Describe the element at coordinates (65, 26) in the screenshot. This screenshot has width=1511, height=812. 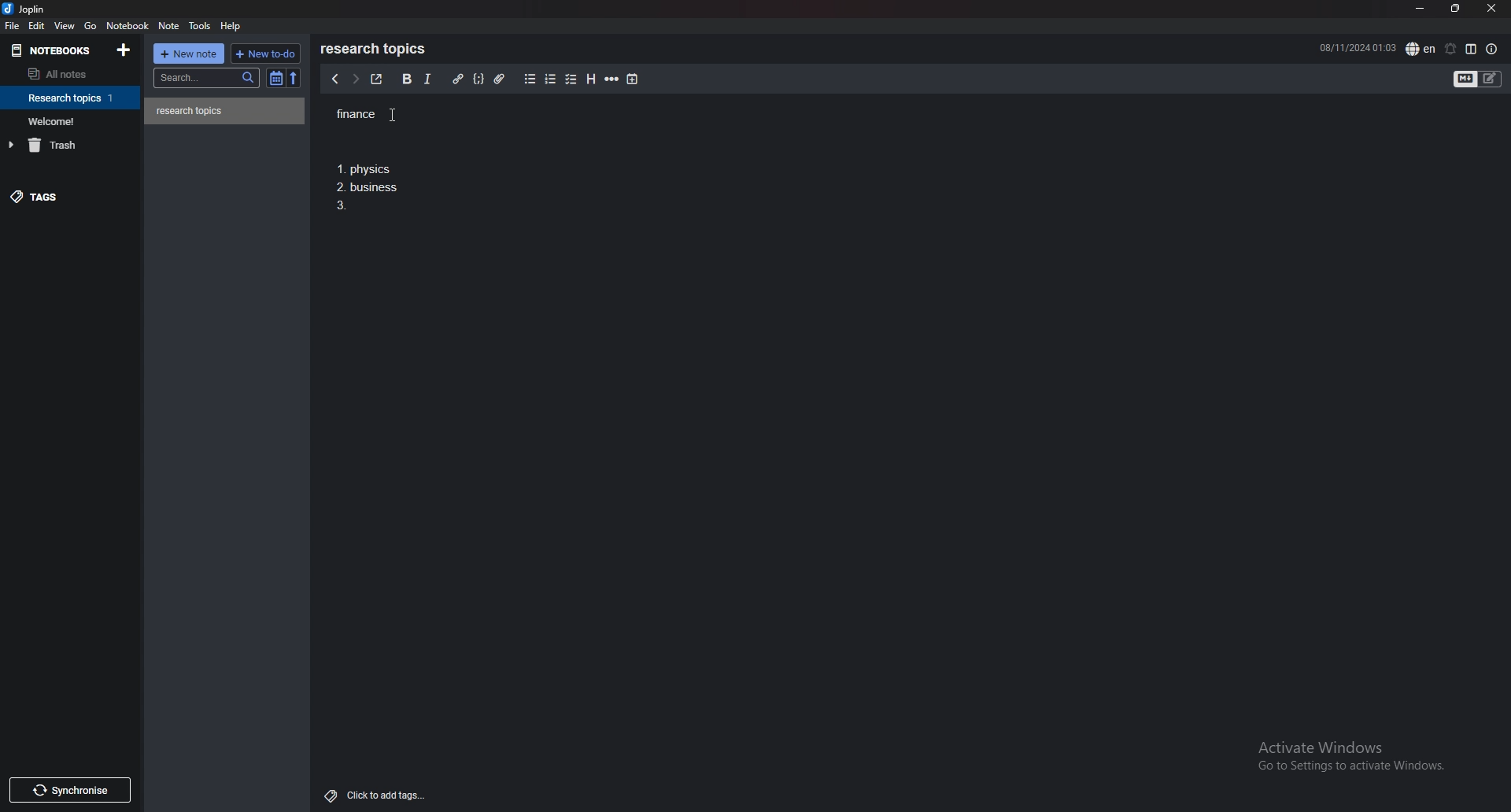
I see `view` at that location.